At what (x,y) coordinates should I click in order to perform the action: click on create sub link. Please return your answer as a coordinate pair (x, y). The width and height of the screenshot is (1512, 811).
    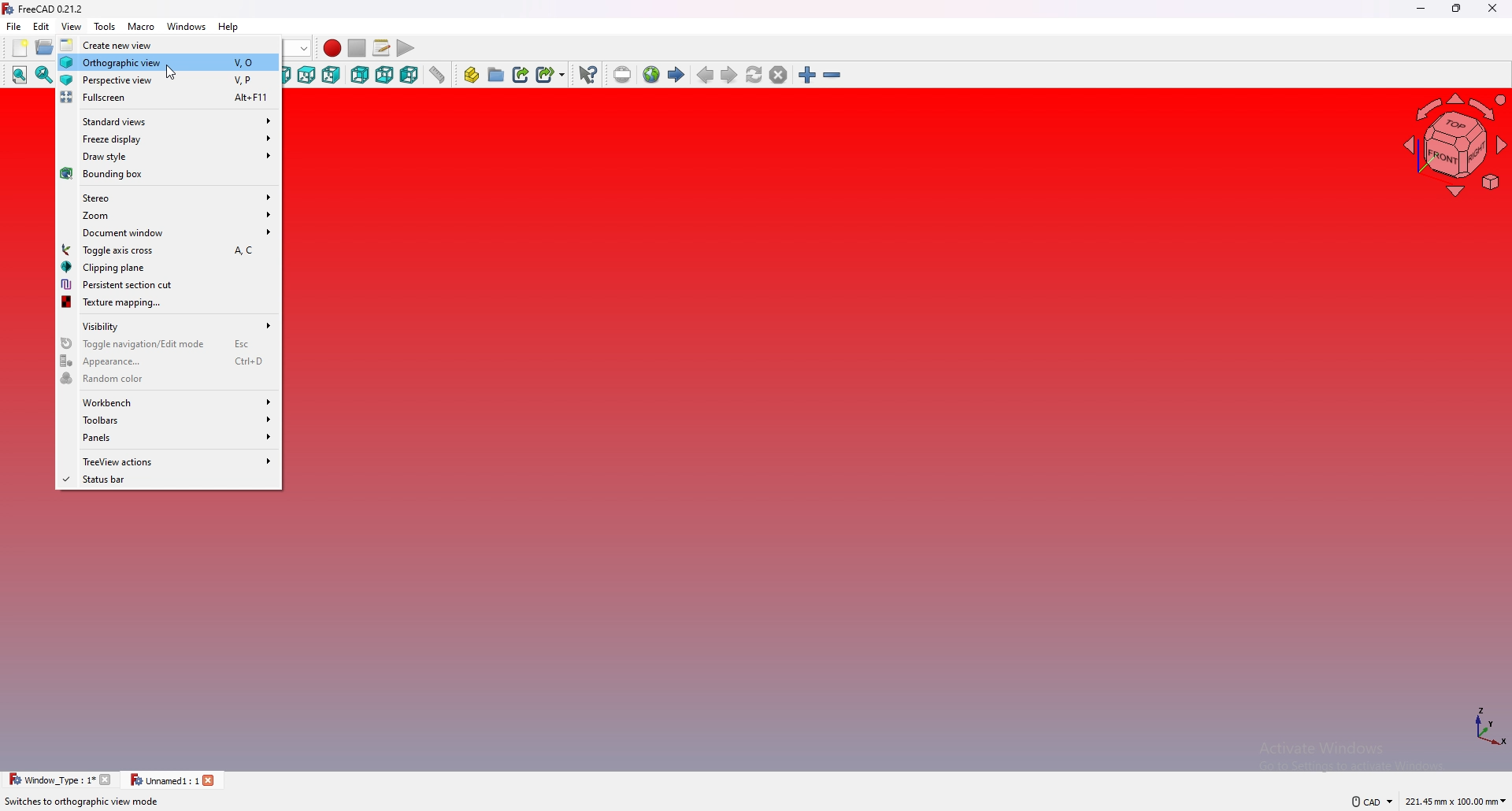
    Looking at the image, I should click on (551, 74).